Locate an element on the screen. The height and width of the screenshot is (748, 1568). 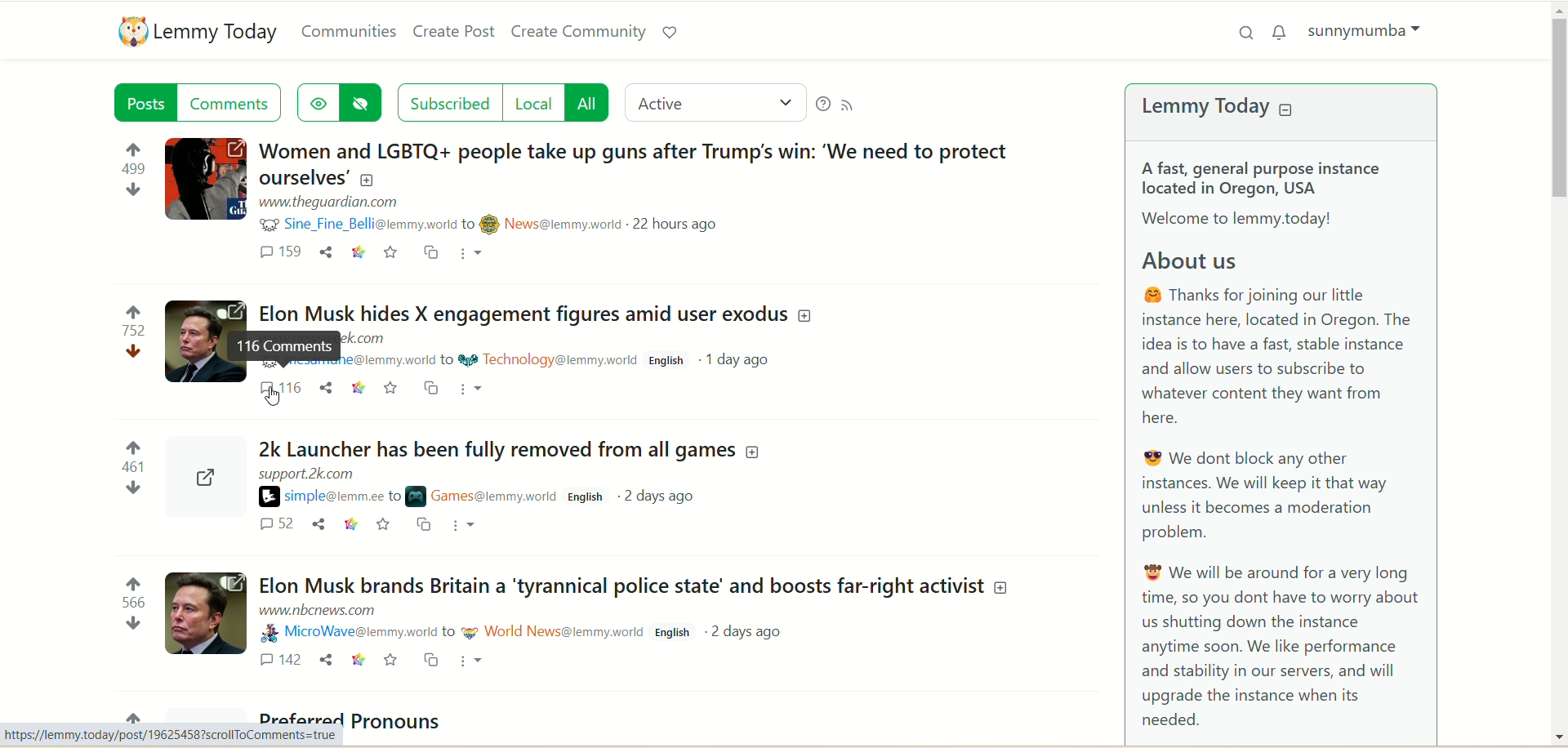
comment 142 is located at coordinates (281, 659).